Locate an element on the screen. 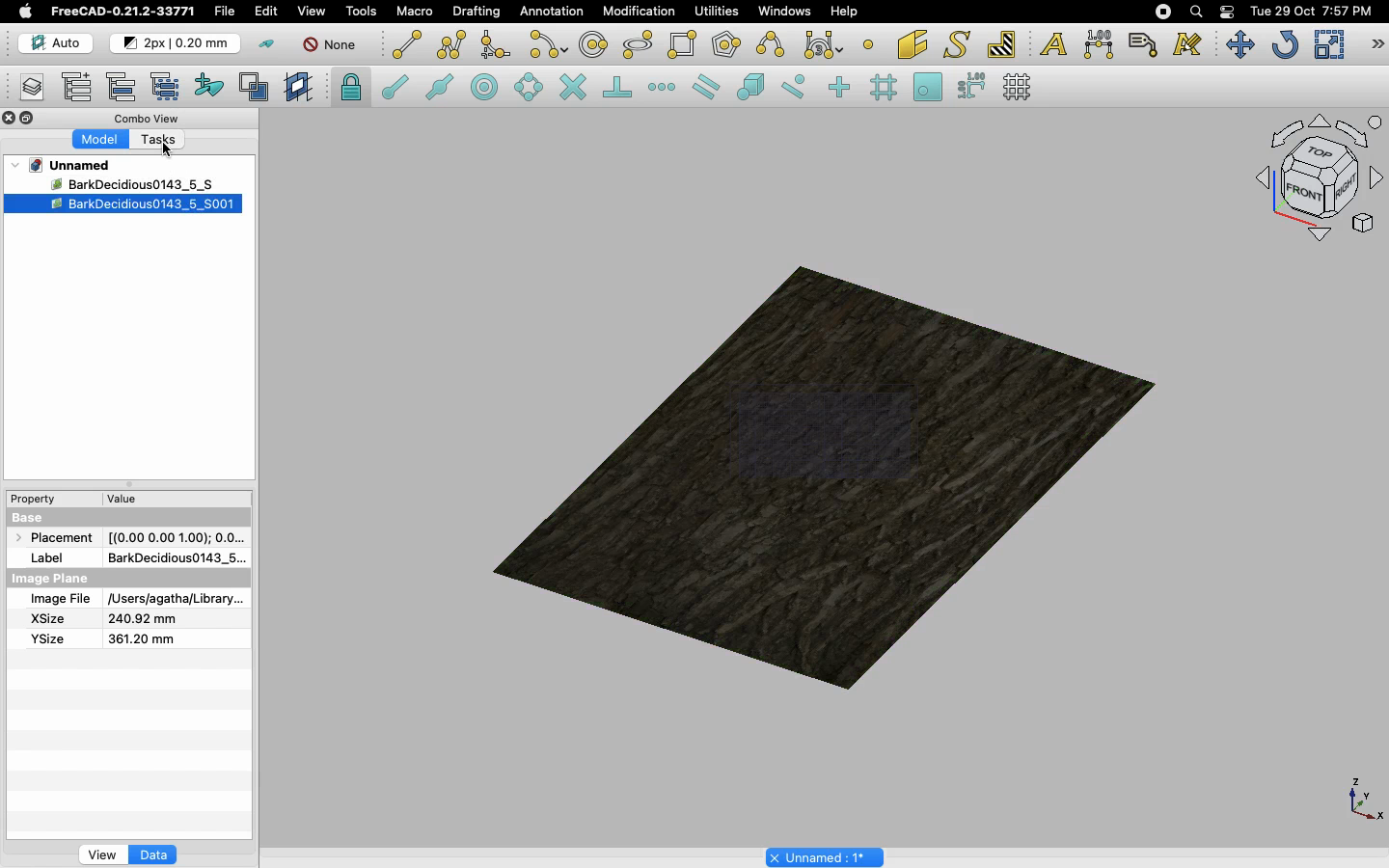  YSize is located at coordinates (45, 638).